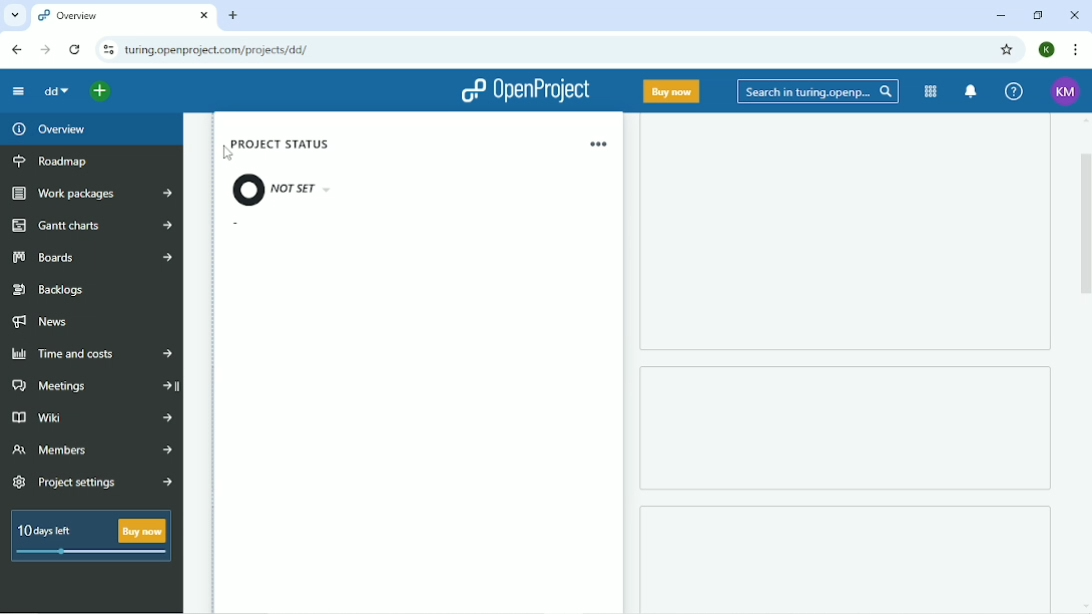 Image resolution: width=1092 pixels, height=614 pixels. I want to click on Back, so click(17, 49).